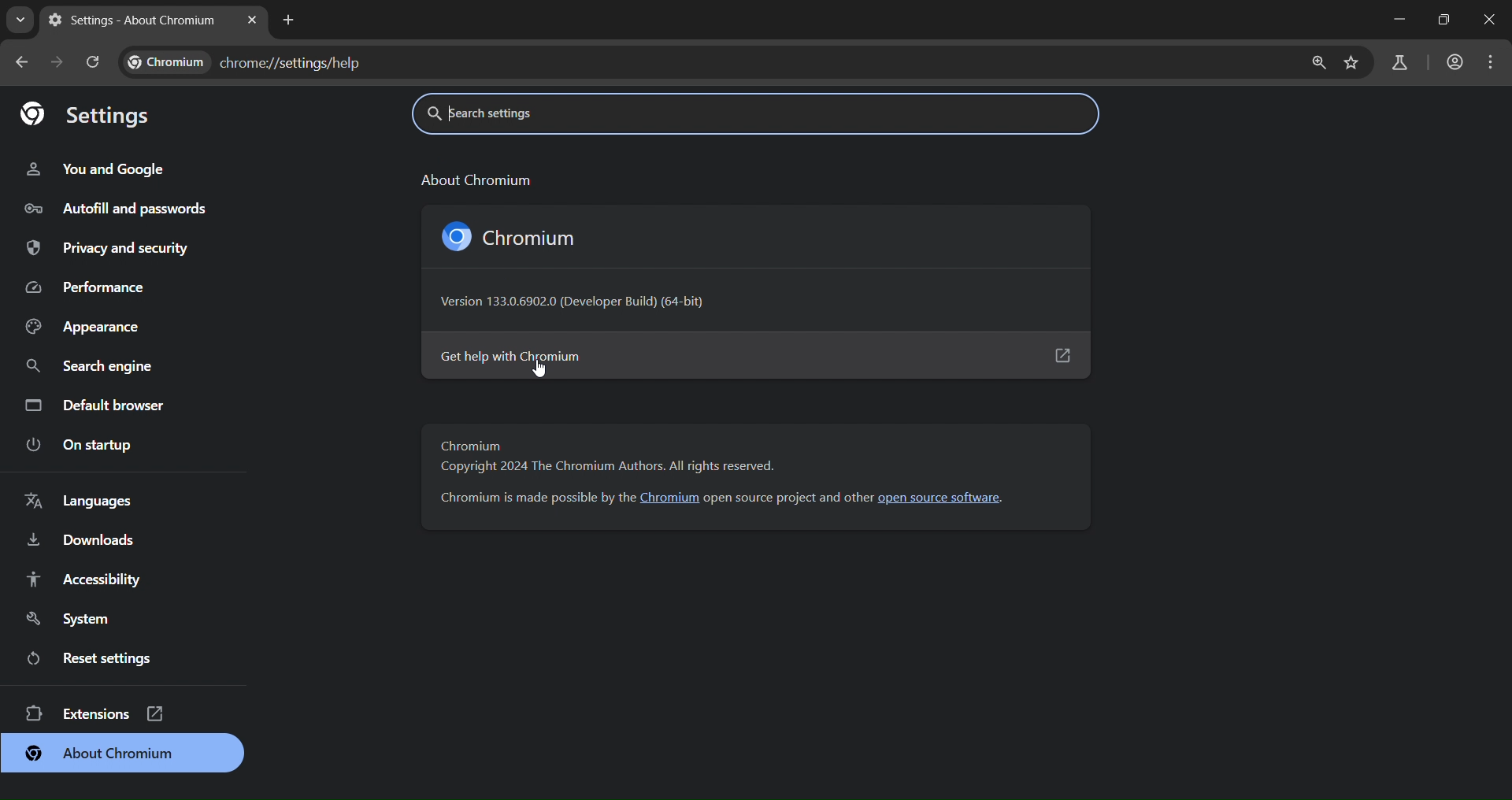 The height and width of the screenshot is (800, 1512). I want to click on chromium, so click(514, 236).